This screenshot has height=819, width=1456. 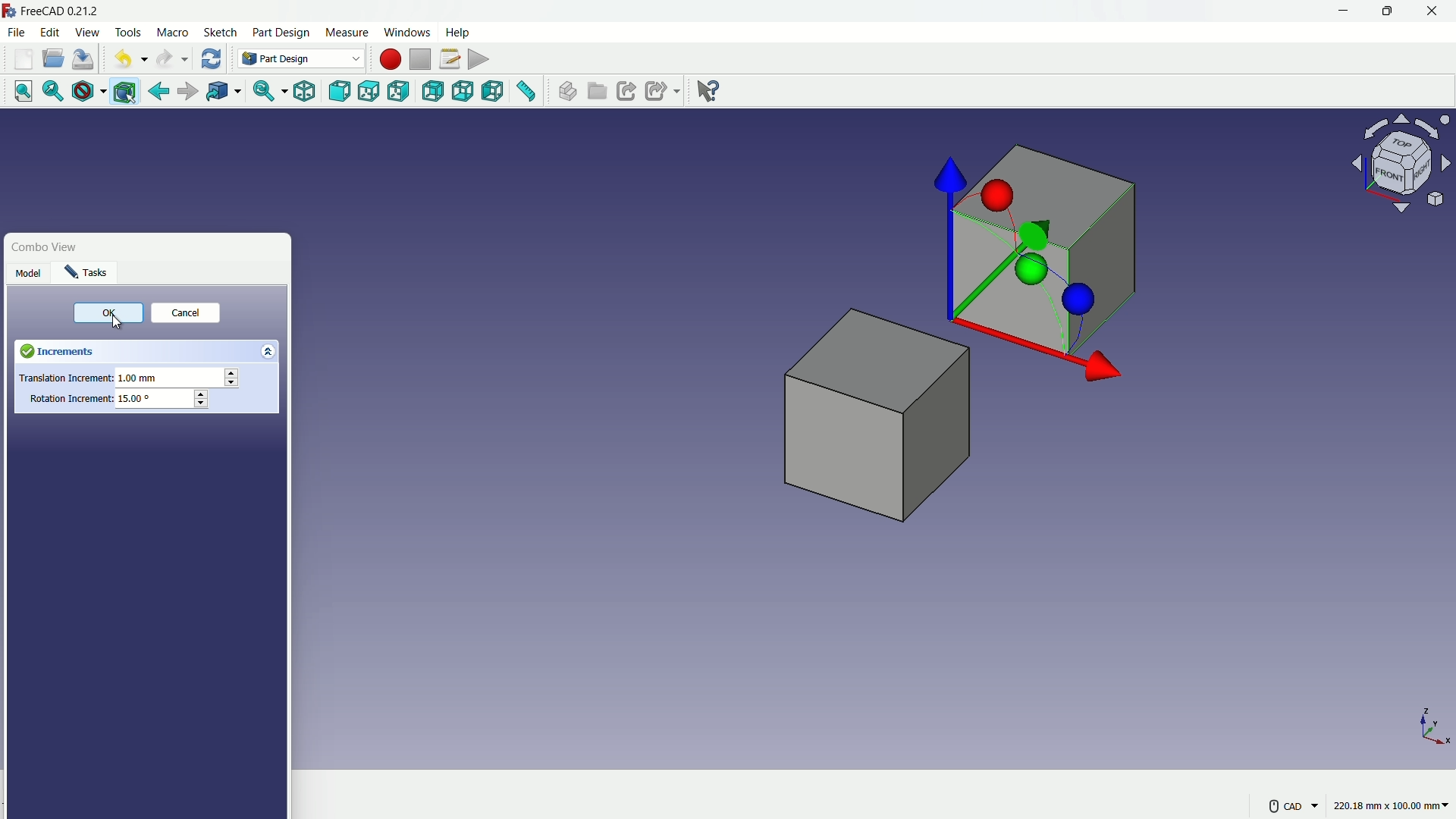 What do you see at coordinates (174, 33) in the screenshot?
I see `macro` at bounding box center [174, 33].